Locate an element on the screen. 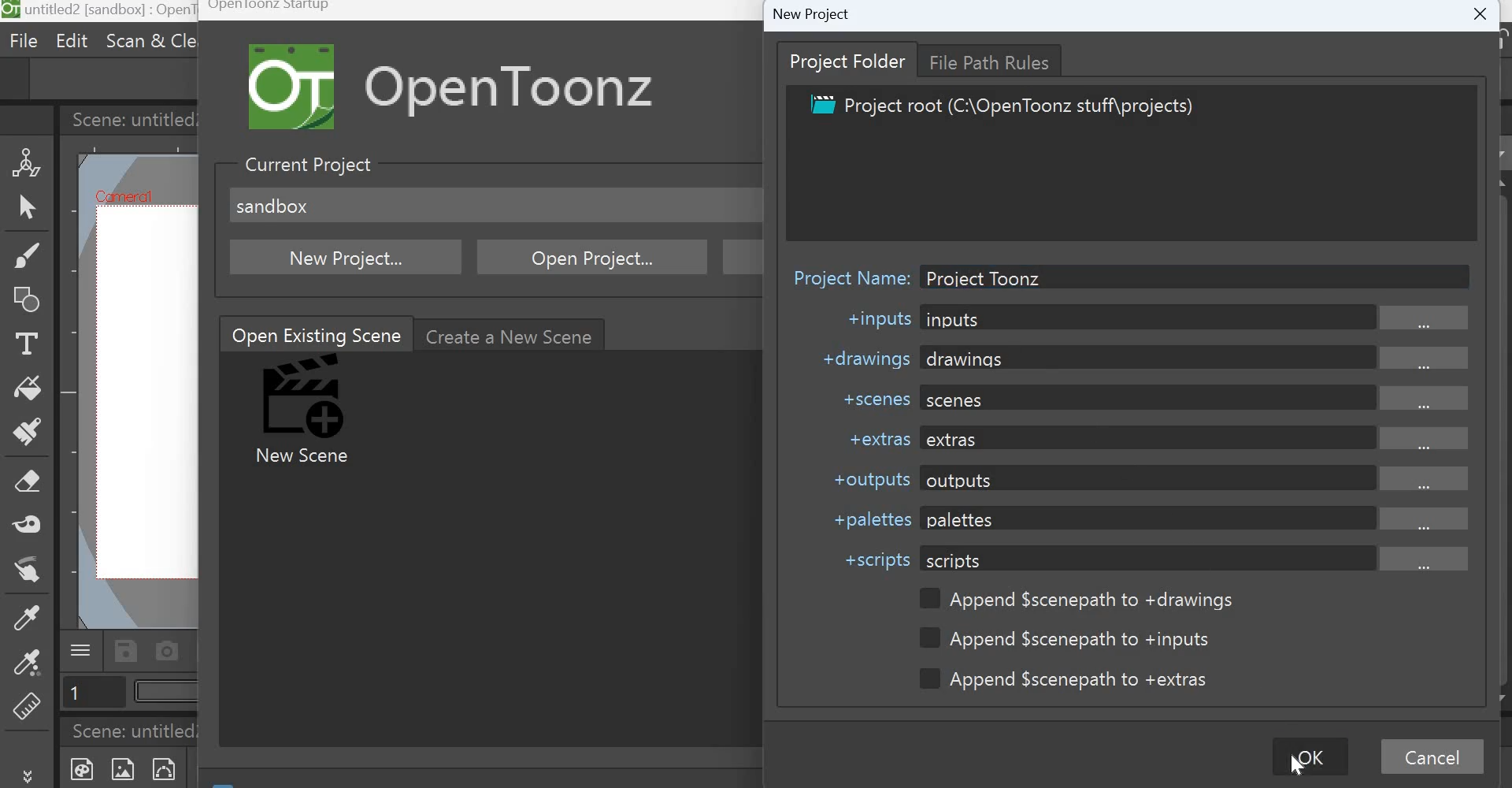 The height and width of the screenshot is (788, 1512). New Project is located at coordinates (811, 13).